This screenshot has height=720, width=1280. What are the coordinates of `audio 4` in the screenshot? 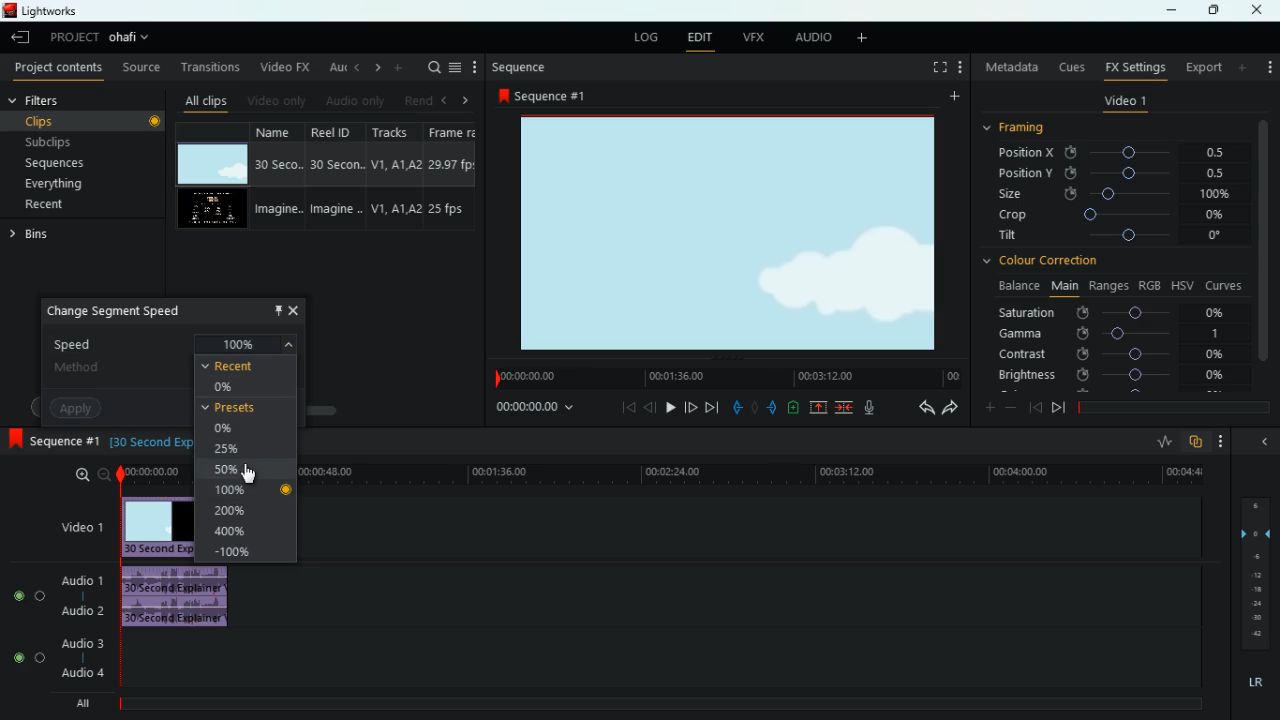 It's located at (82, 672).